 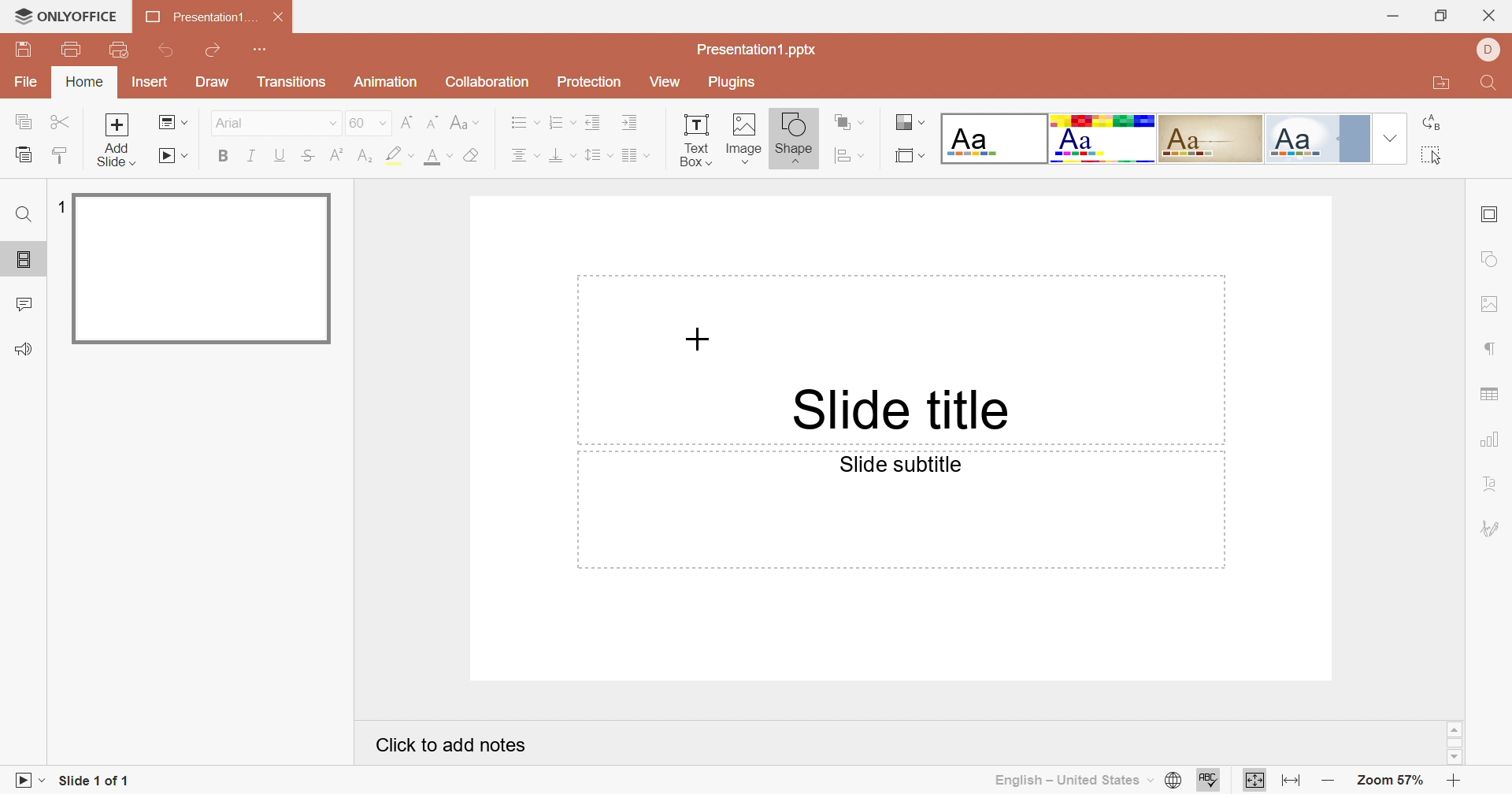 I want to click on Spell checking, so click(x=1206, y=780).